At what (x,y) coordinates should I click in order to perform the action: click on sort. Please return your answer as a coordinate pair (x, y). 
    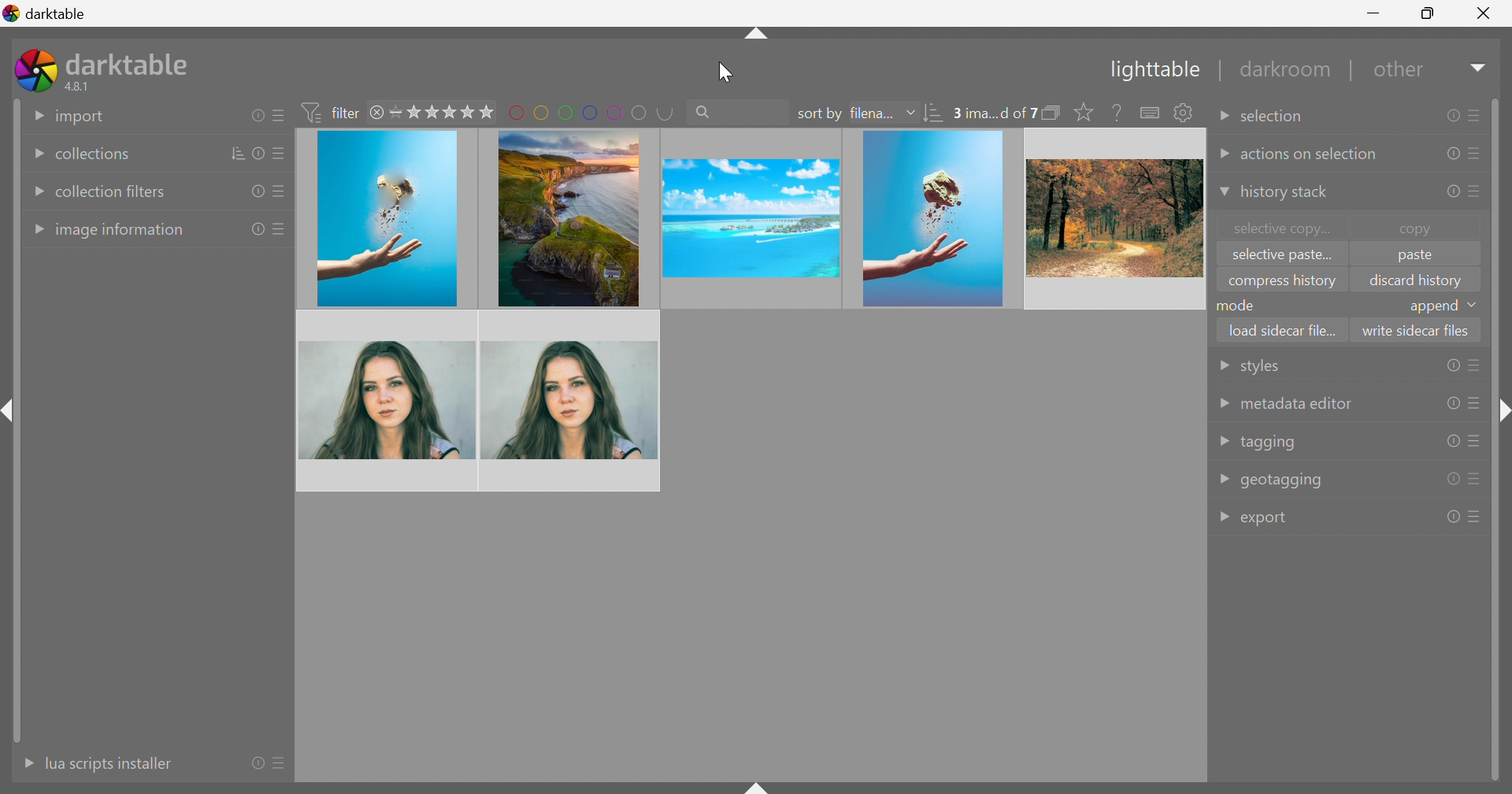
    Looking at the image, I should click on (239, 153).